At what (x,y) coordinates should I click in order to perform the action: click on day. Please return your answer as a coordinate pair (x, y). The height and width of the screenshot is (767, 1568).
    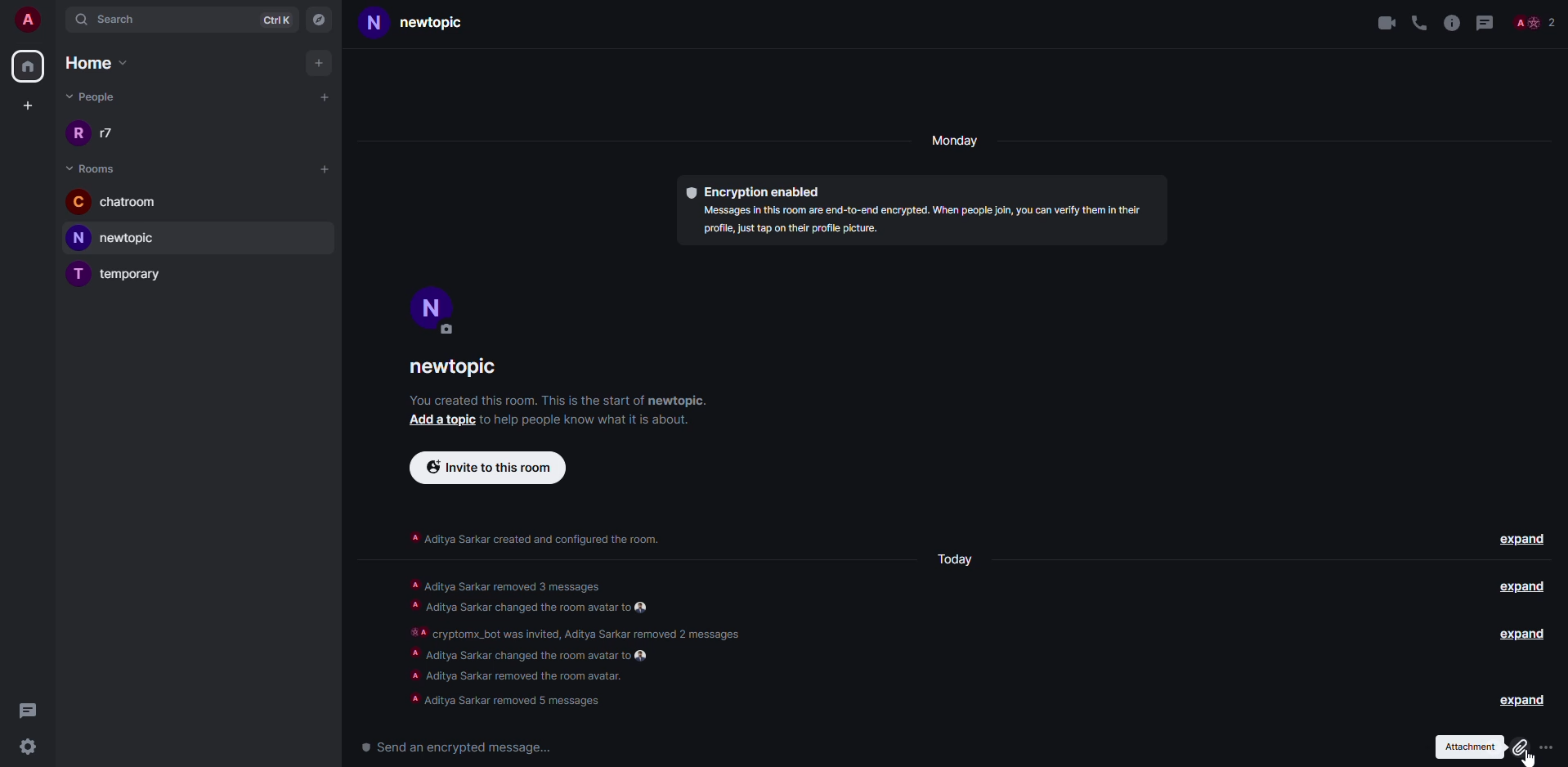
    Looking at the image, I should click on (959, 560).